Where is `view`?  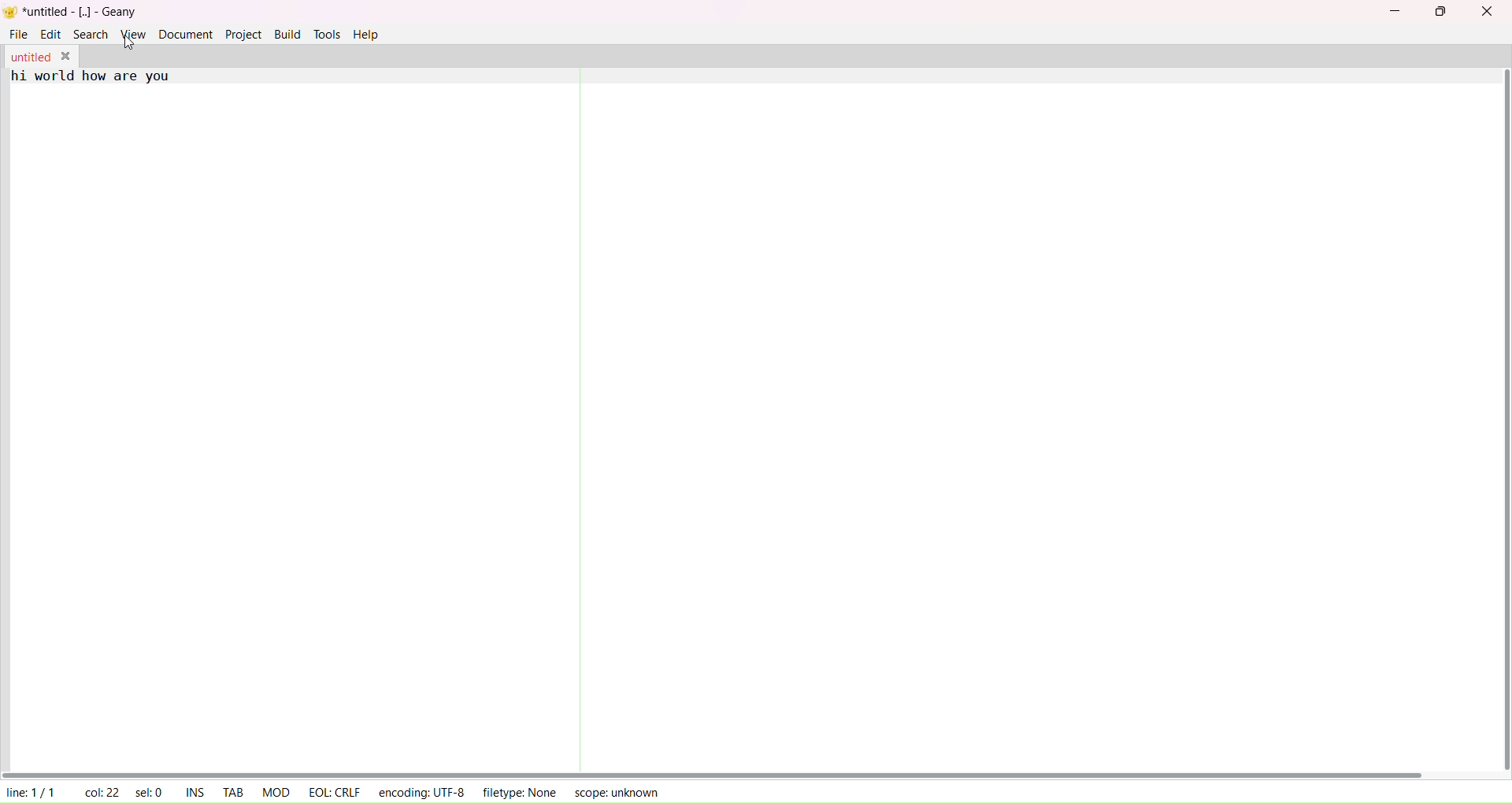
view is located at coordinates (133, 33).